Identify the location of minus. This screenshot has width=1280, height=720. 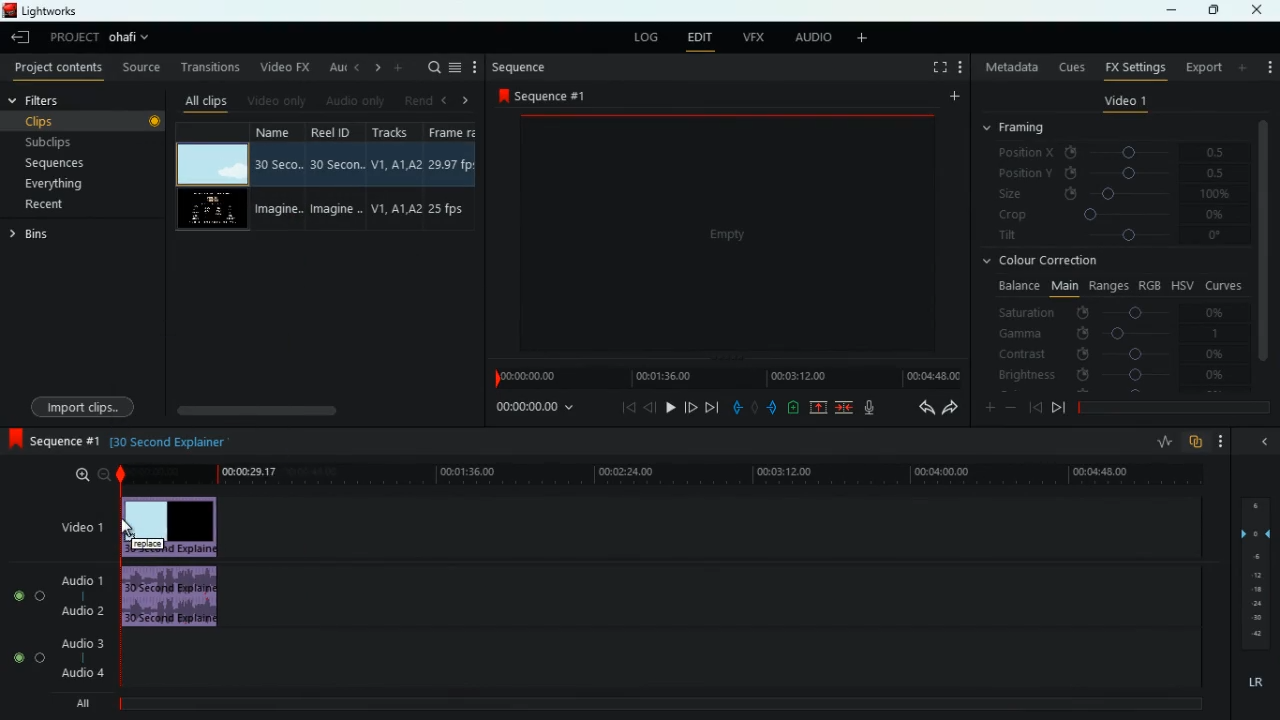
(1011, 407).